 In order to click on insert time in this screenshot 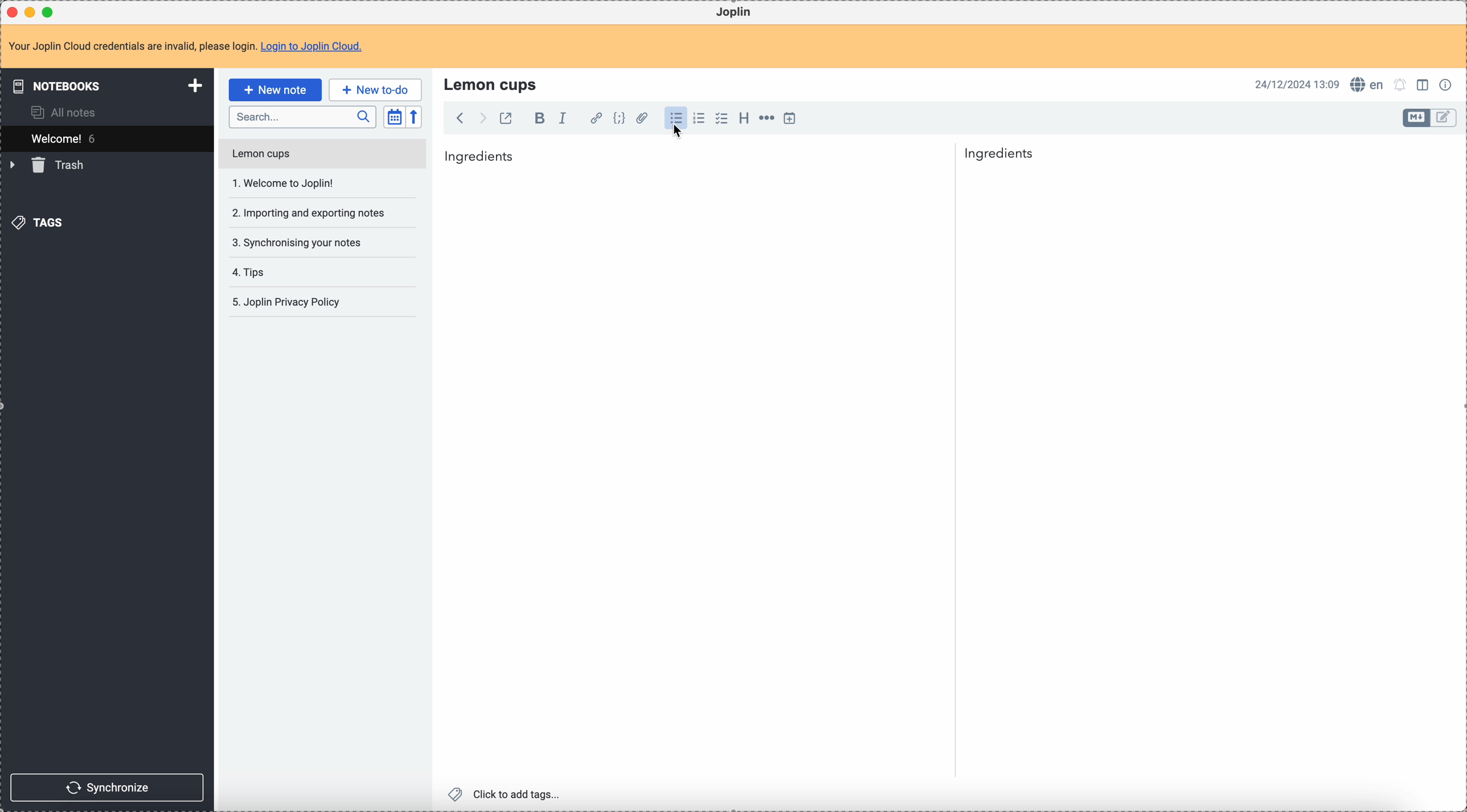, I will do `click(789, 118)`.